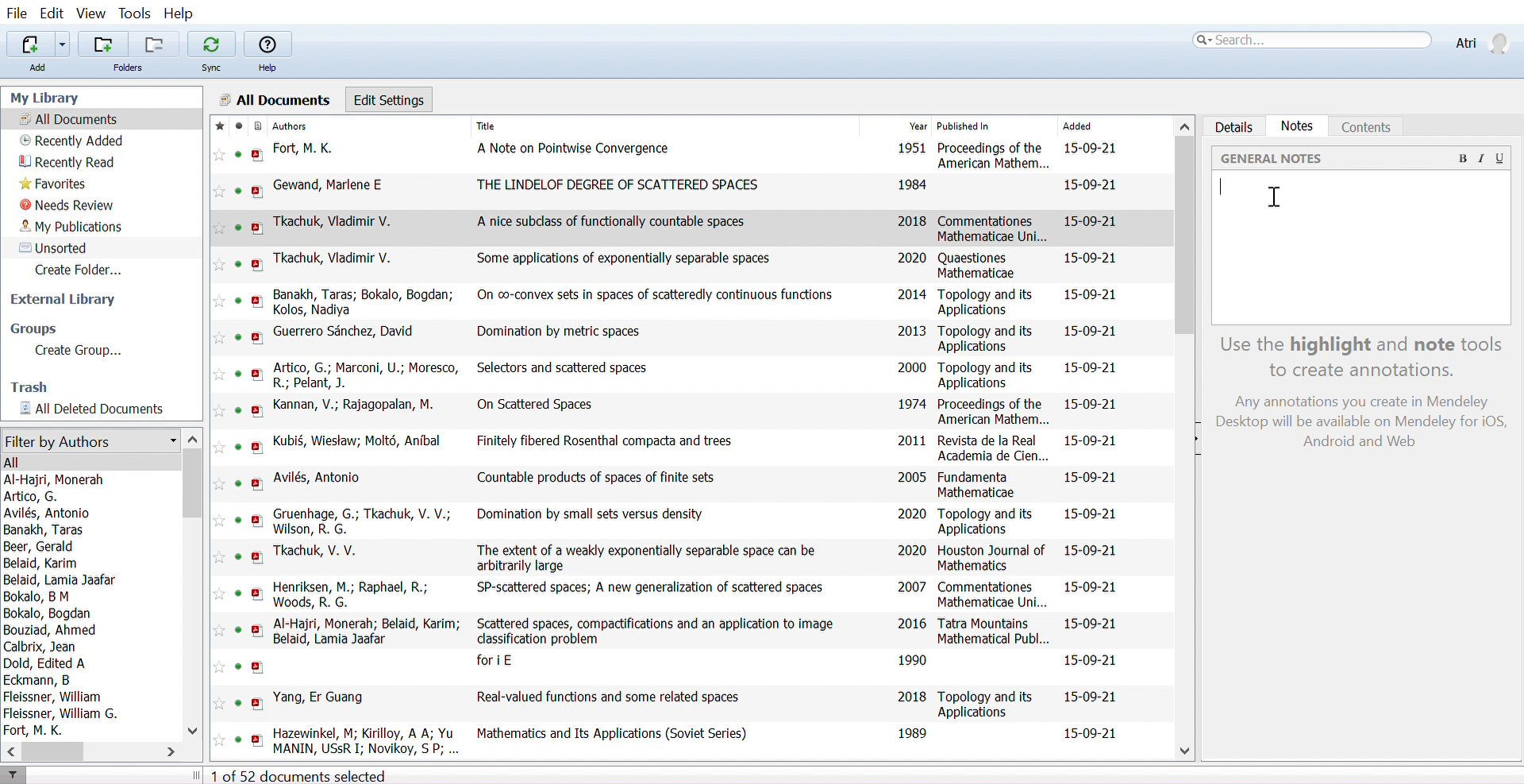 Image resolution: width=1524 pixels, height=784 pixels. What do you see at coordinates (71, 141) in the screenshot?
I see `Recently added` at bounding box center [71, 141].